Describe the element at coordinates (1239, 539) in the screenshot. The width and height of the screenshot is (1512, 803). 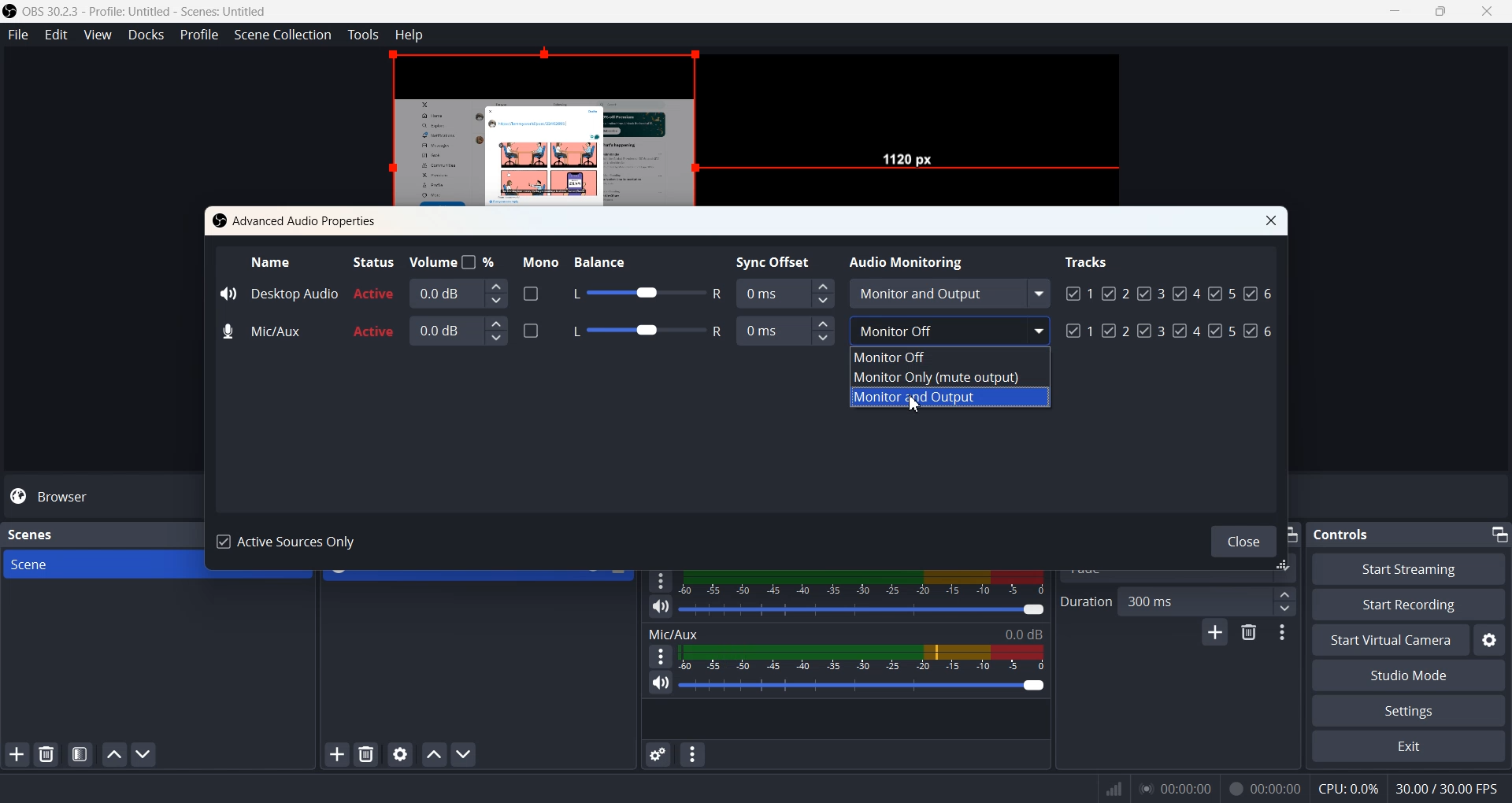
I see `Close` at that location.